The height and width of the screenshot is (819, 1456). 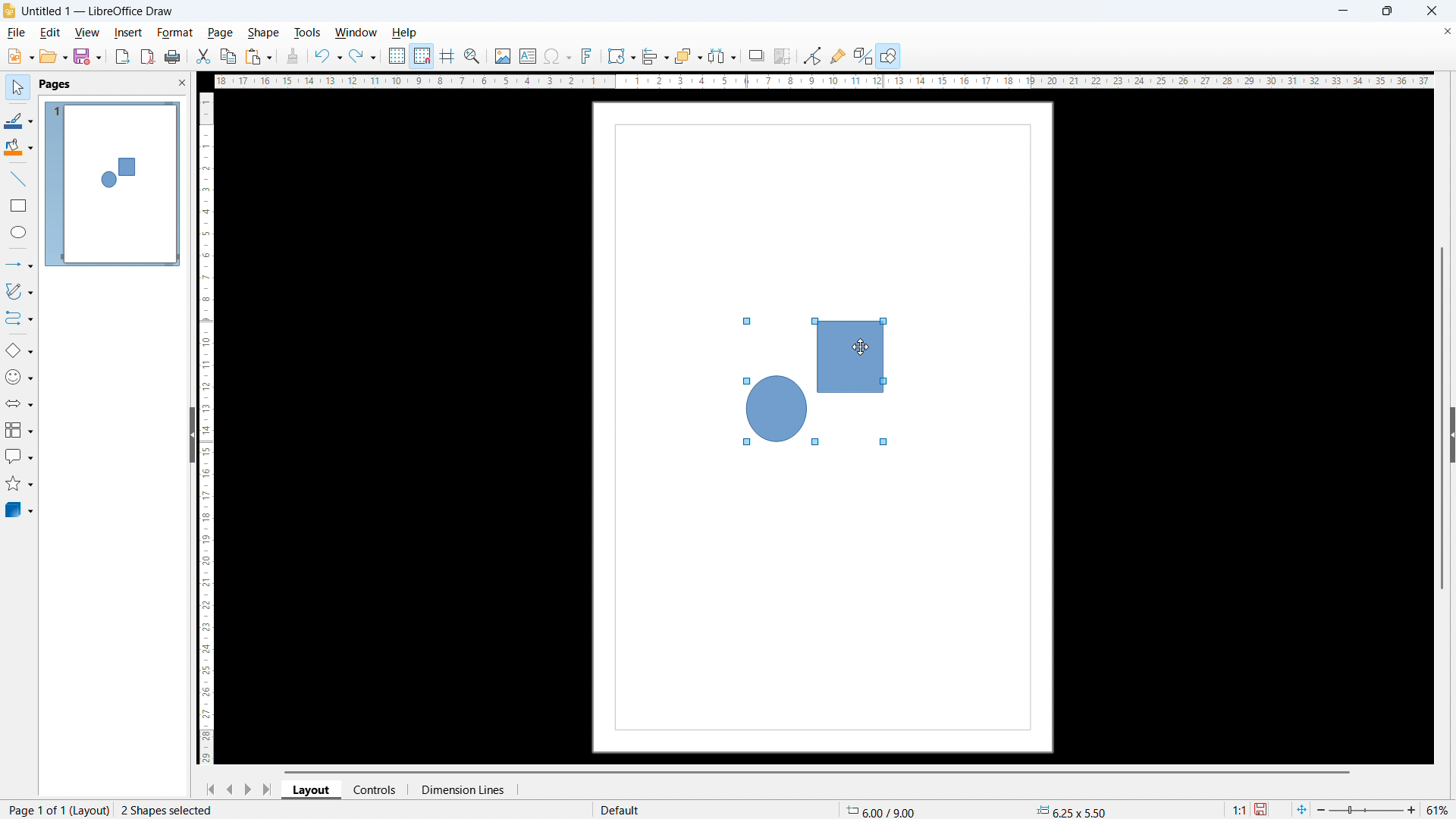 I want to click on stars & banners, so click(x=20, y=485).